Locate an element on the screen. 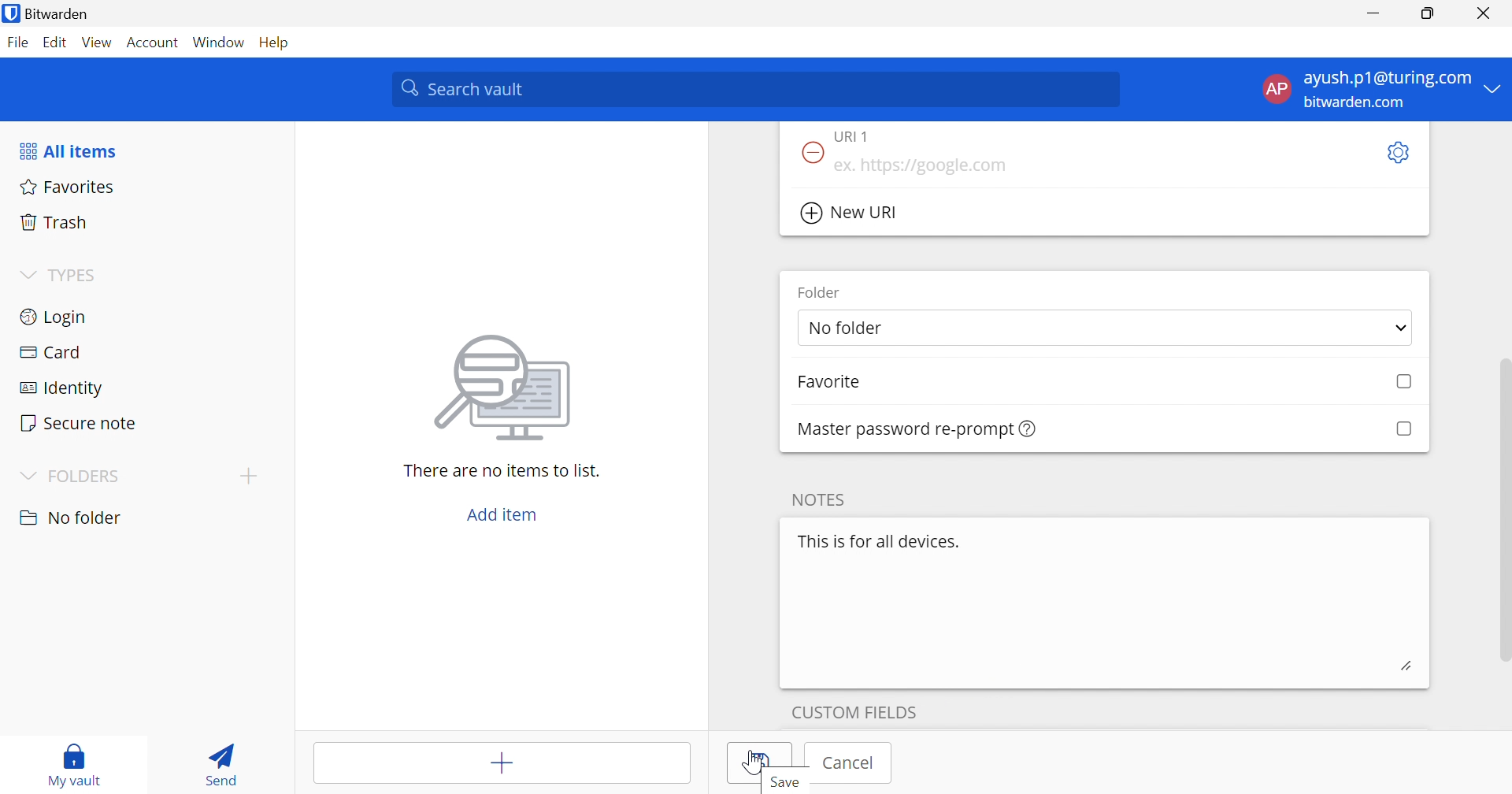  Add item is located at coordinates (503, 765).